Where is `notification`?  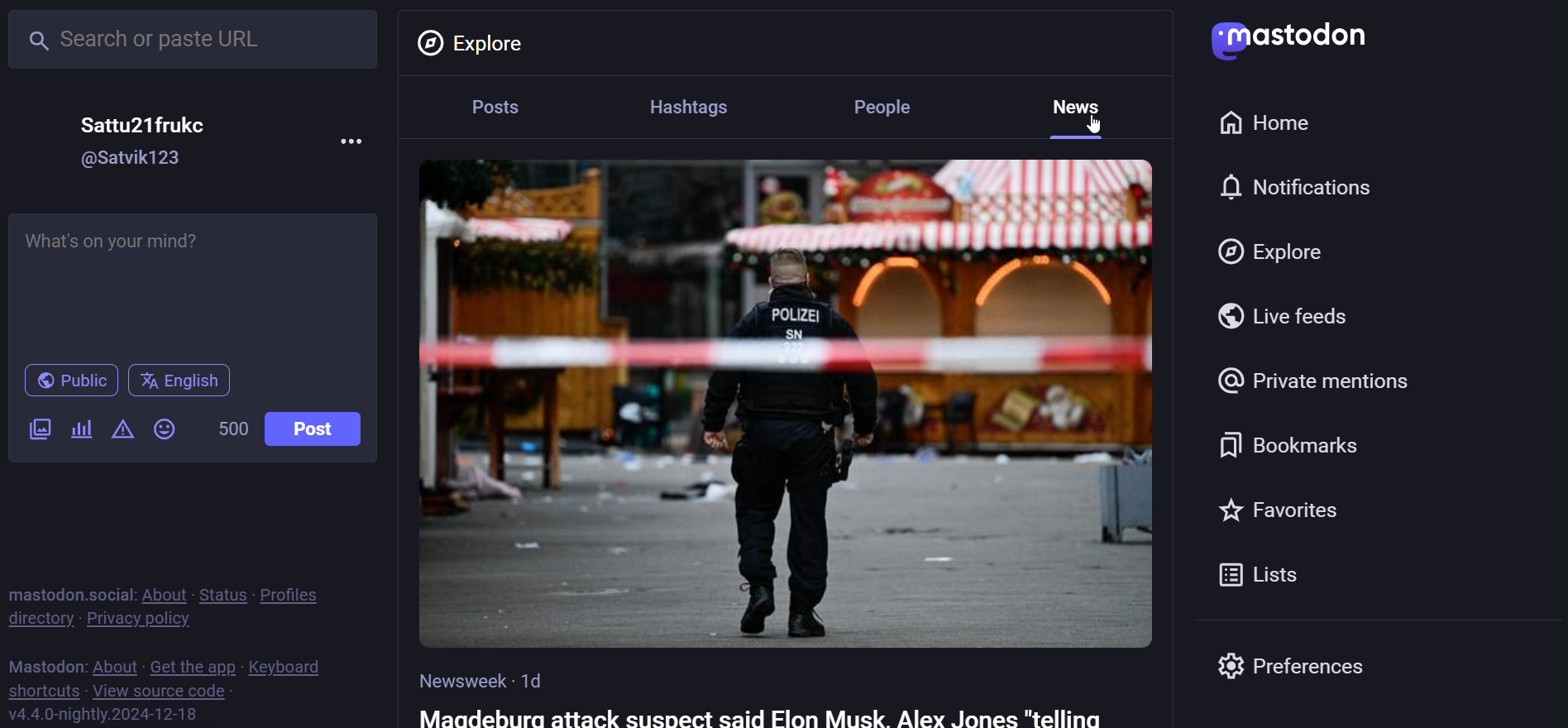 notification is located at coordinates (1297, 186).